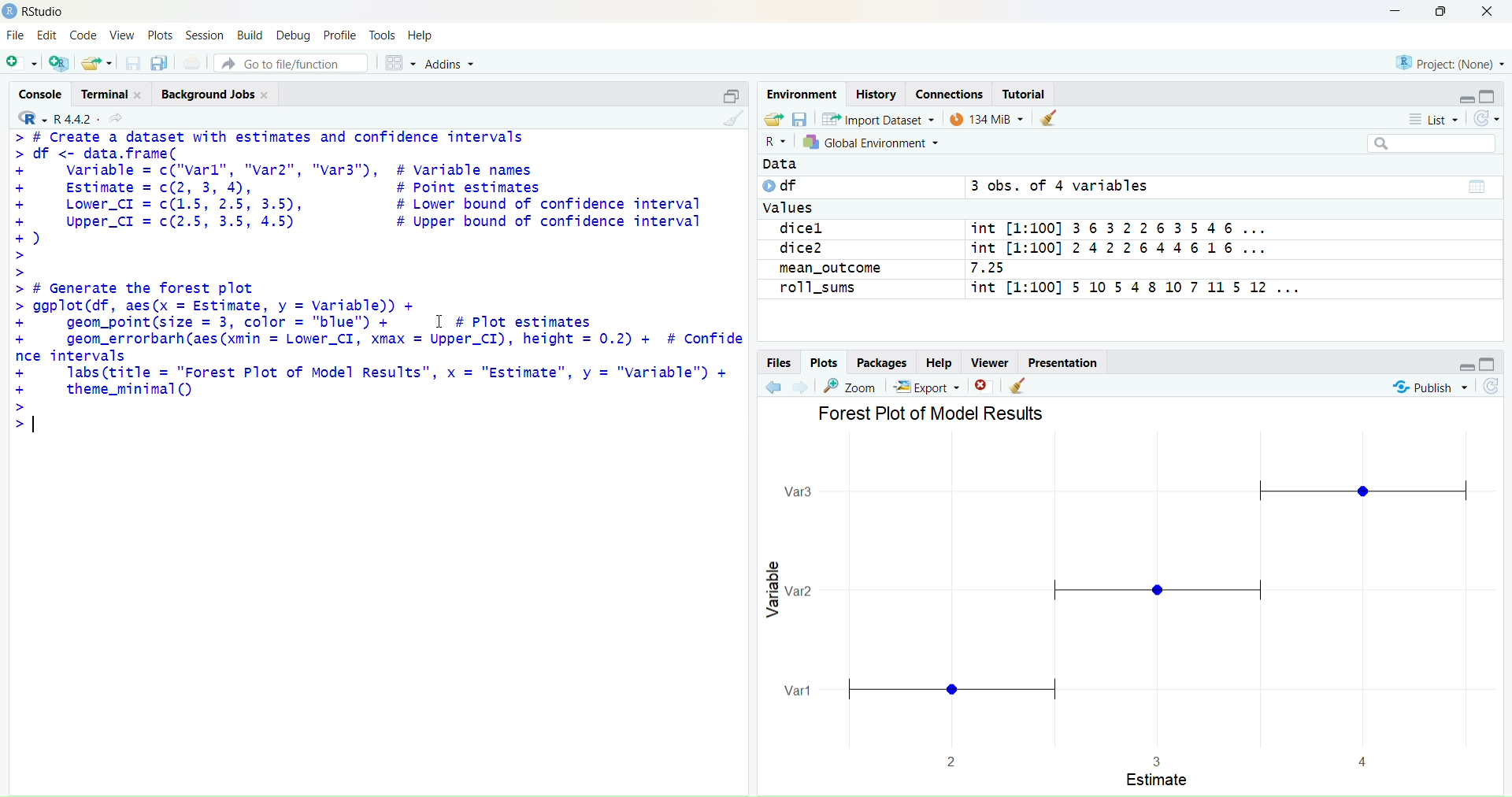 Image resolution: width=1512 pixels, height=797 pixels. Describe the element at coordinates (938, 363) in the screenshot. I see `Help` at that location.